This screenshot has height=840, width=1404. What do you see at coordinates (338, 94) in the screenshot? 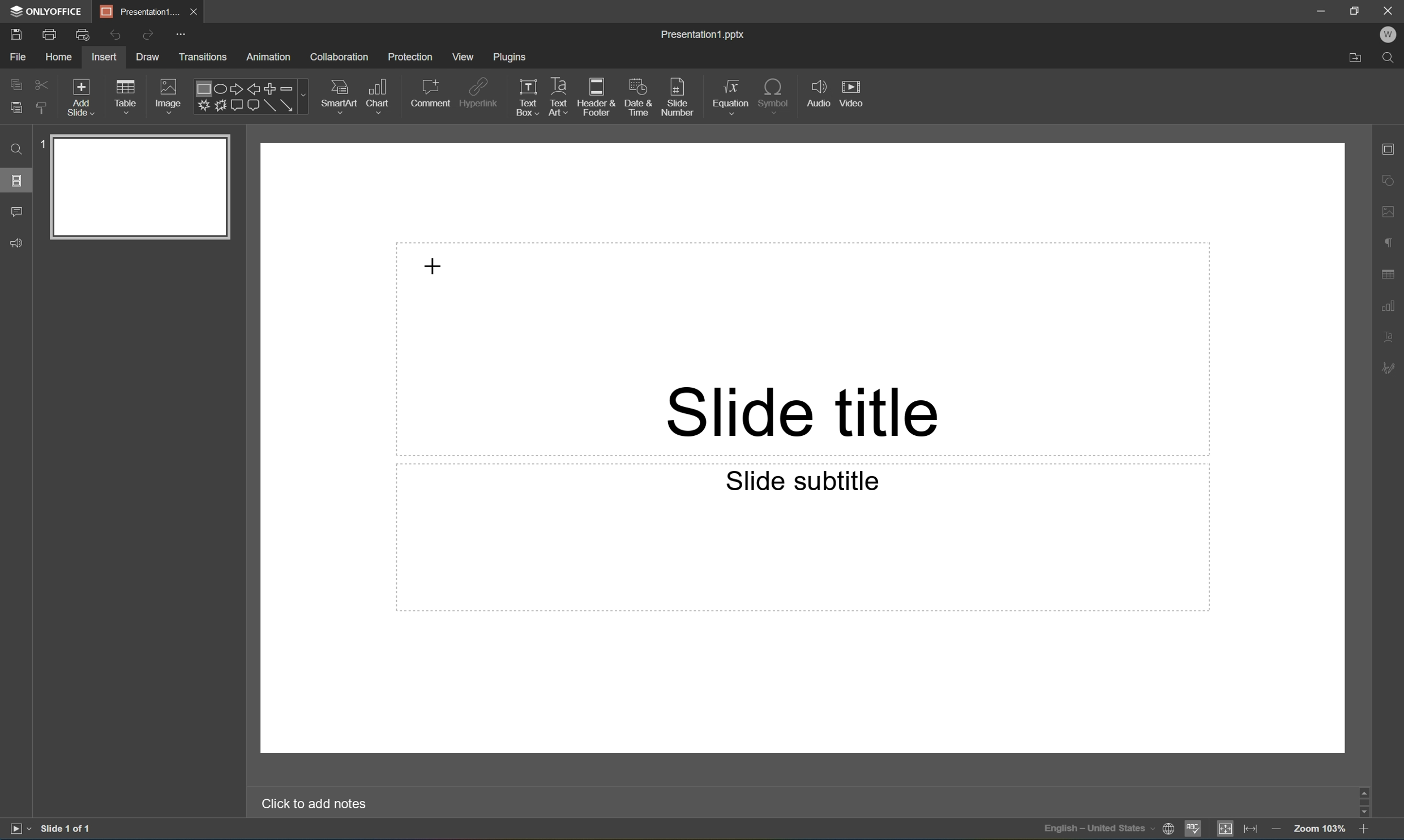
I see `SmartArt` at bounding box center [338, 94].